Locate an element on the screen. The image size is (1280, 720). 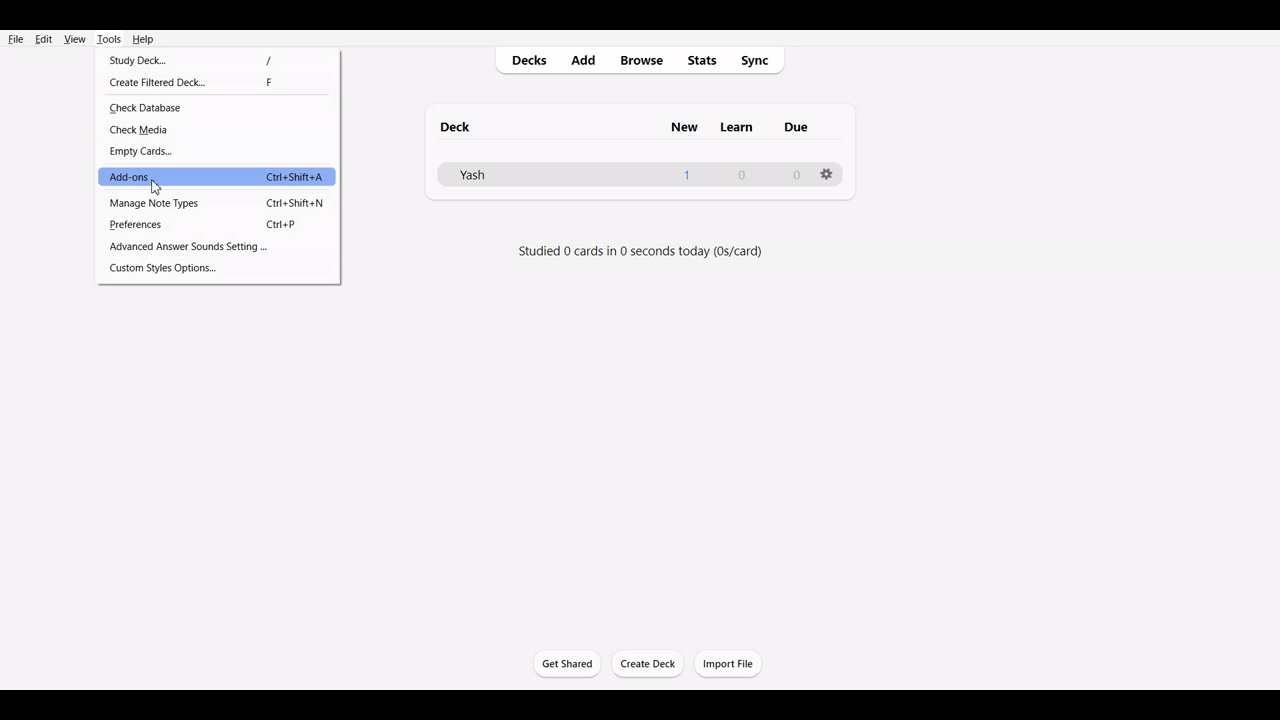
Edit is located at coordinates (43, 39).